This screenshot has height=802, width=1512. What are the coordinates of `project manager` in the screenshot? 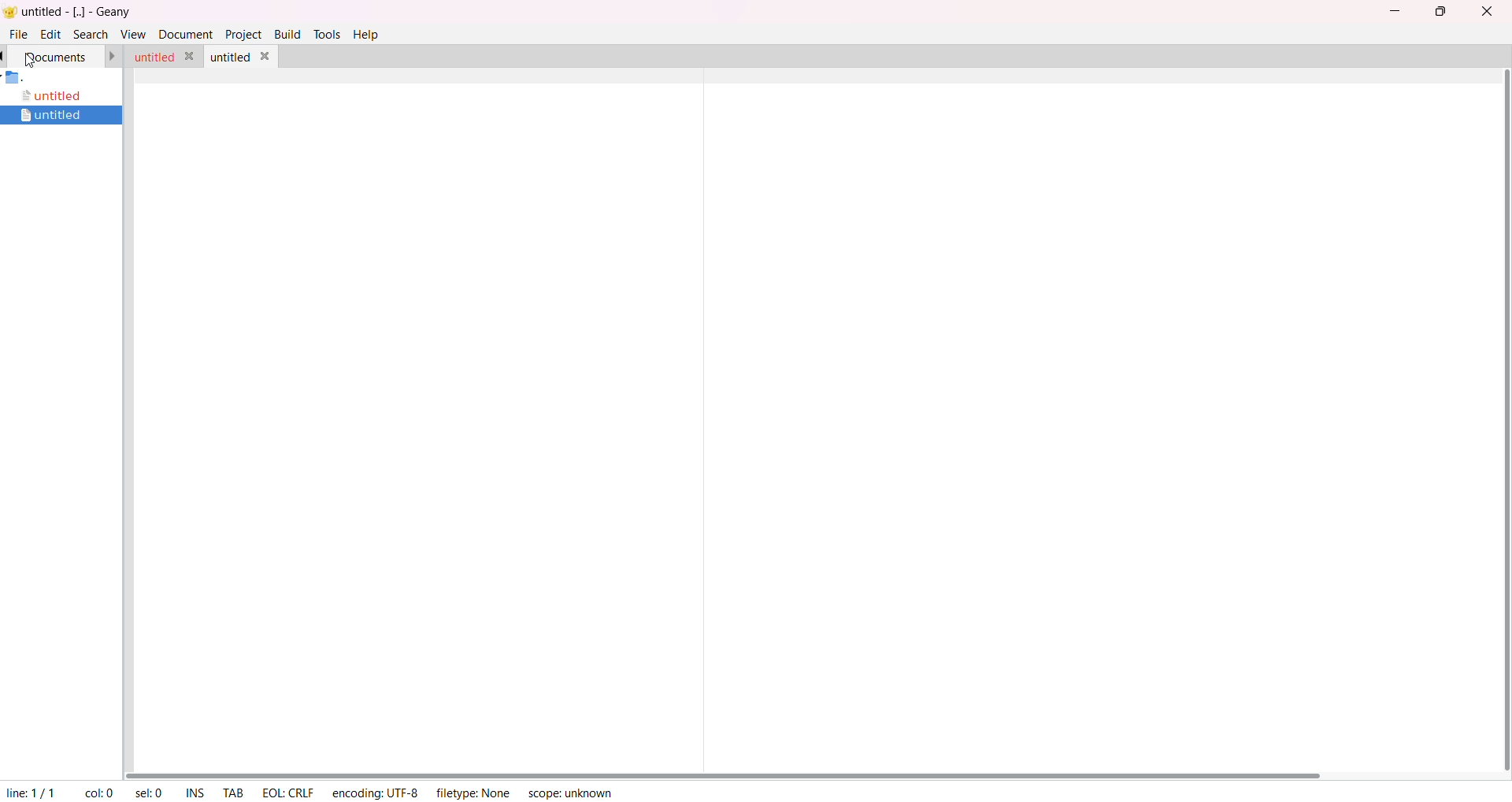 It's located at (65, 450).